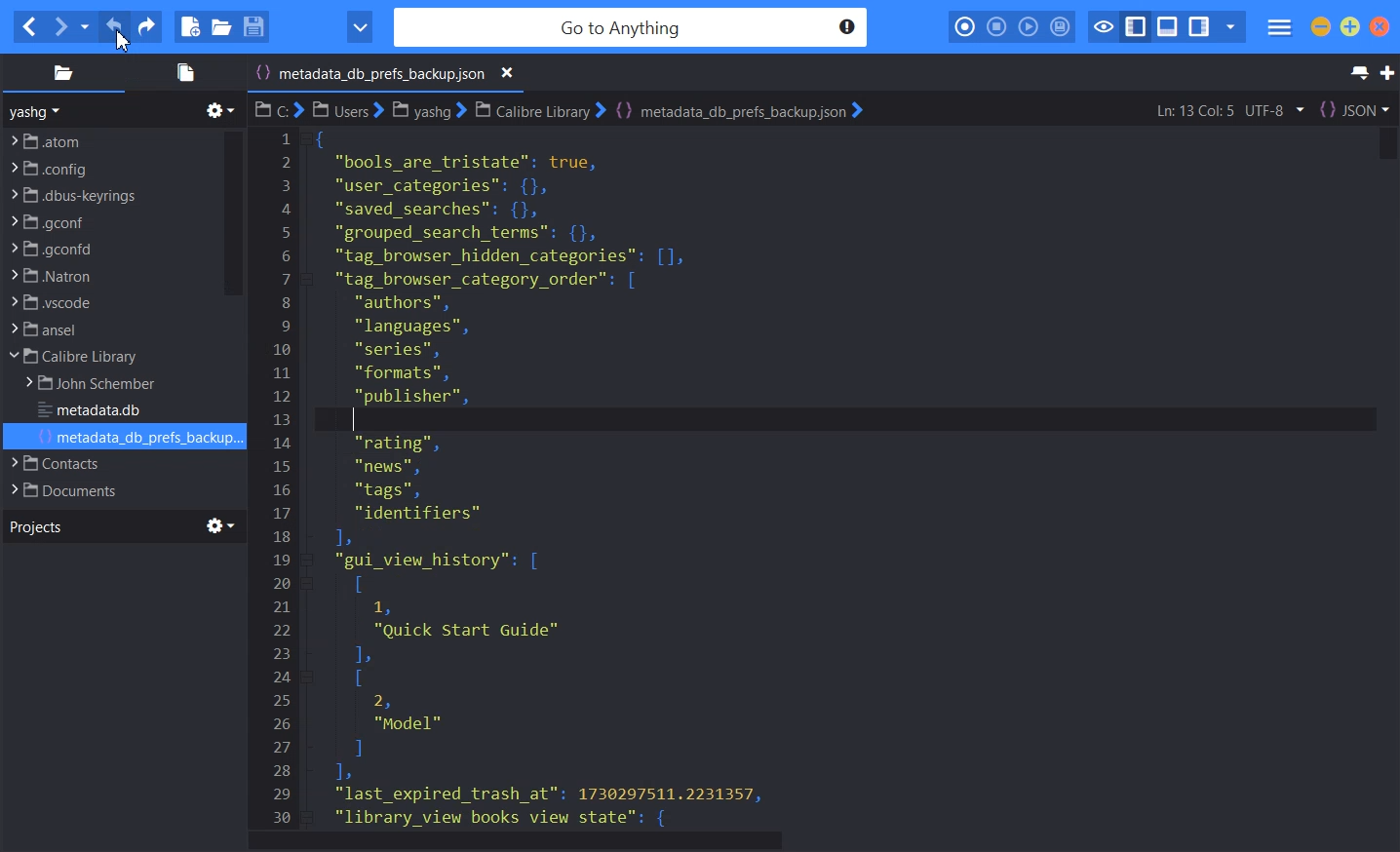 This screenshot has height=852, width=1400. Describe the element at coordinates (1136, 27) in the screenshot. I see `Show/ Hide left pane` at that location.